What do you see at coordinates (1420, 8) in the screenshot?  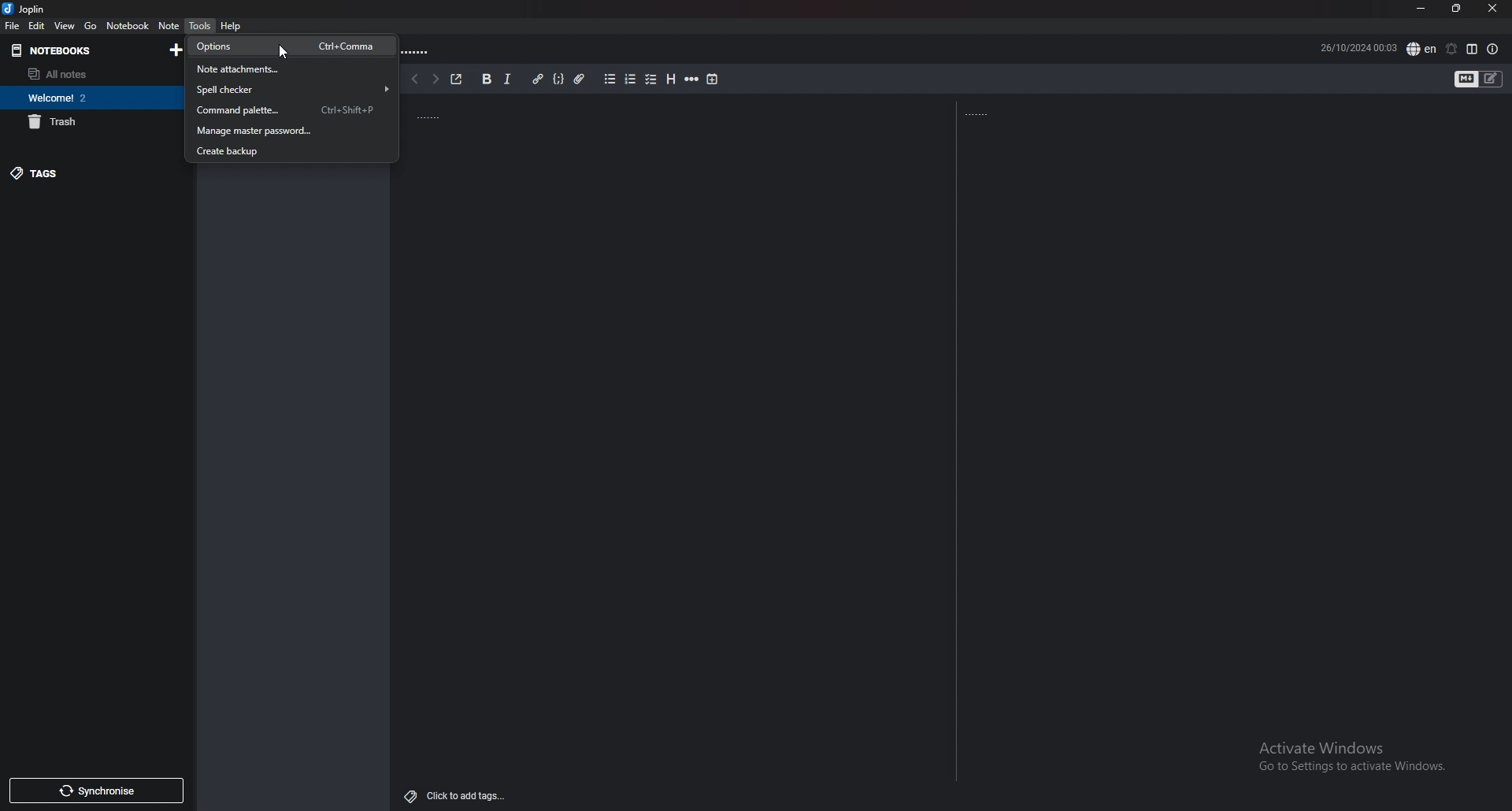 I see `minimize` at bounding box center [1420, 8].